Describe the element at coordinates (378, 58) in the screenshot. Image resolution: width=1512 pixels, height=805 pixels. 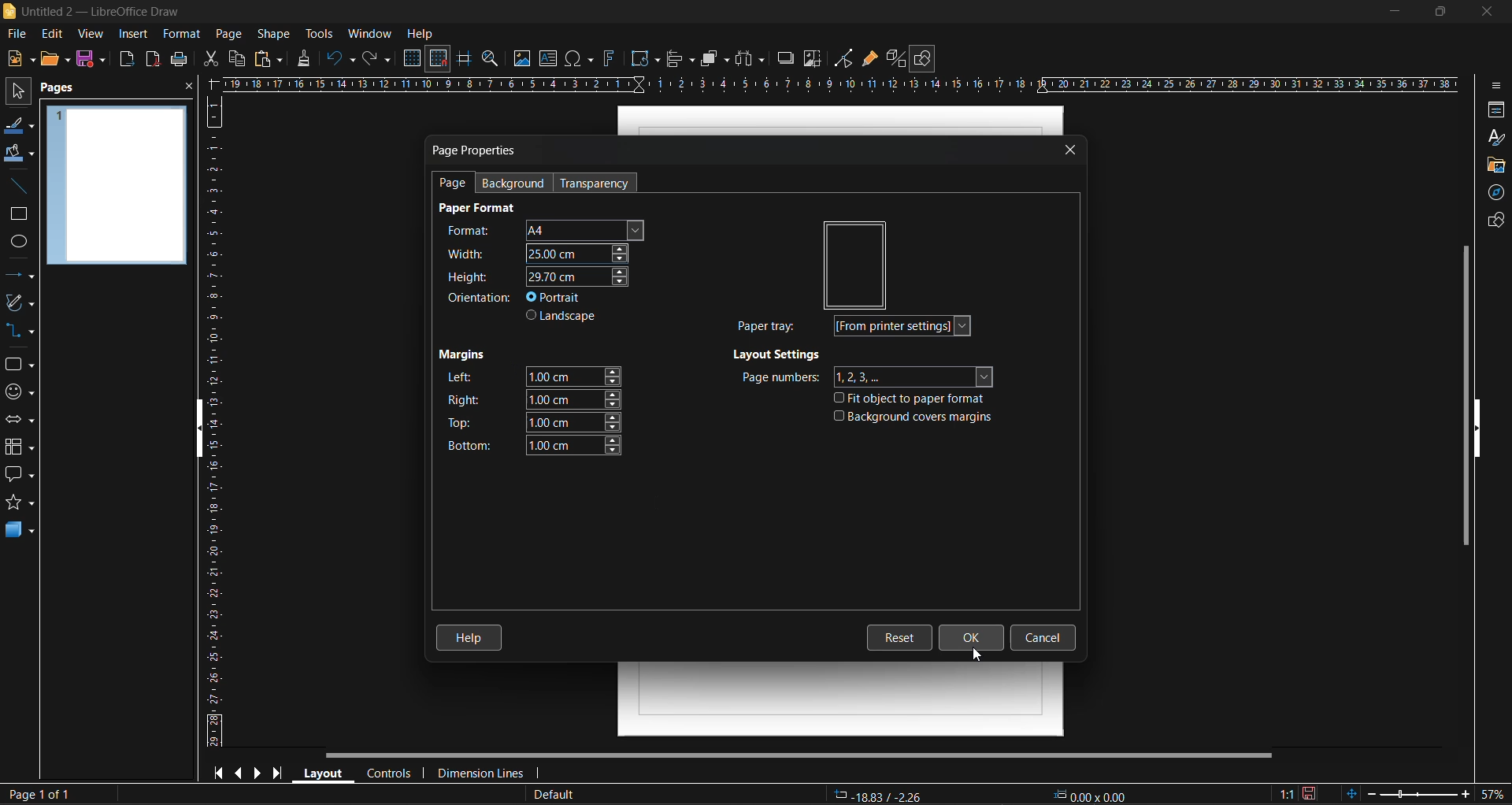
I see `redo` at that location.